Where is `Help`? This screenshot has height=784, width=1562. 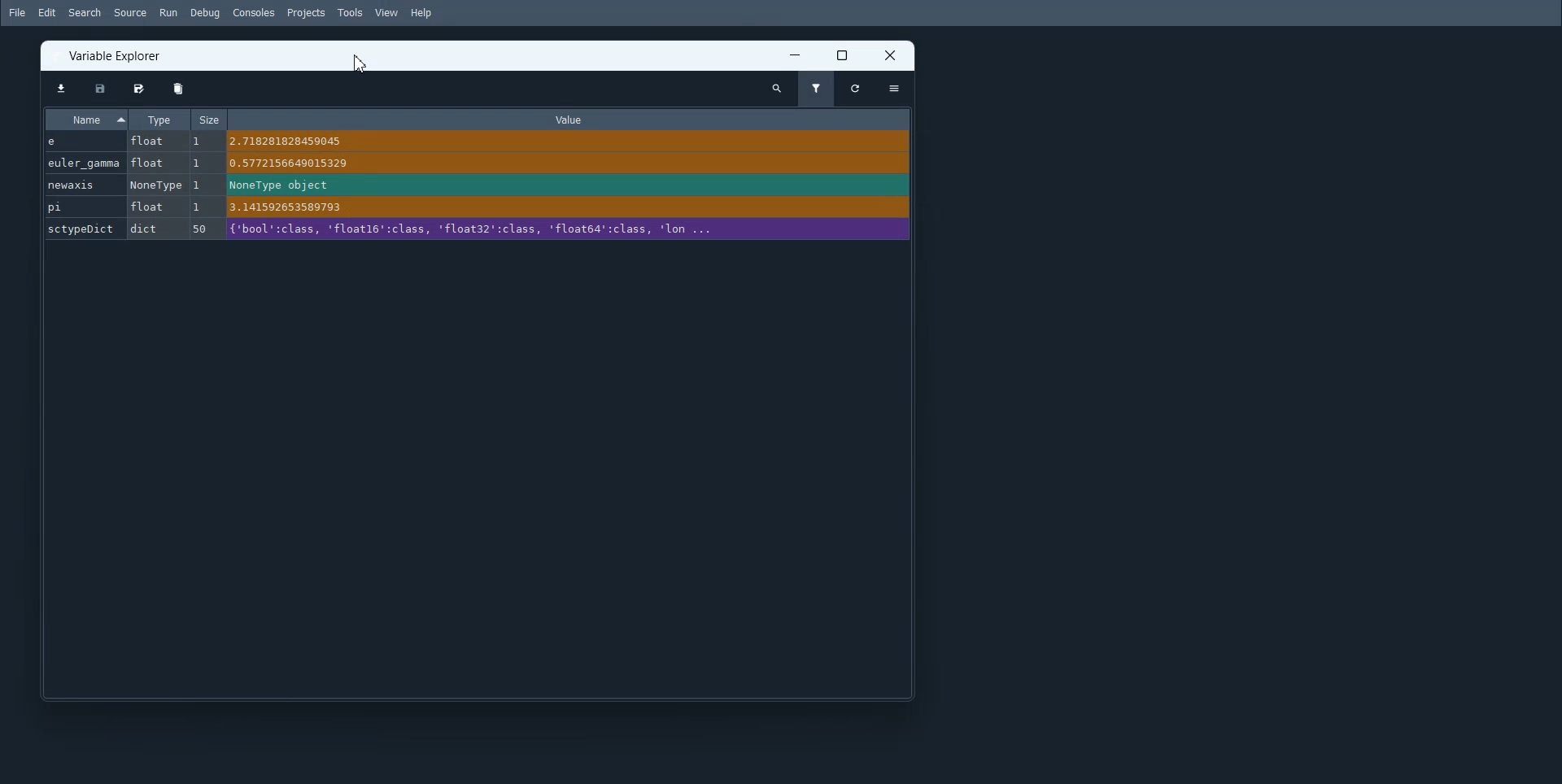 Help is located at coordinates (421, 13).